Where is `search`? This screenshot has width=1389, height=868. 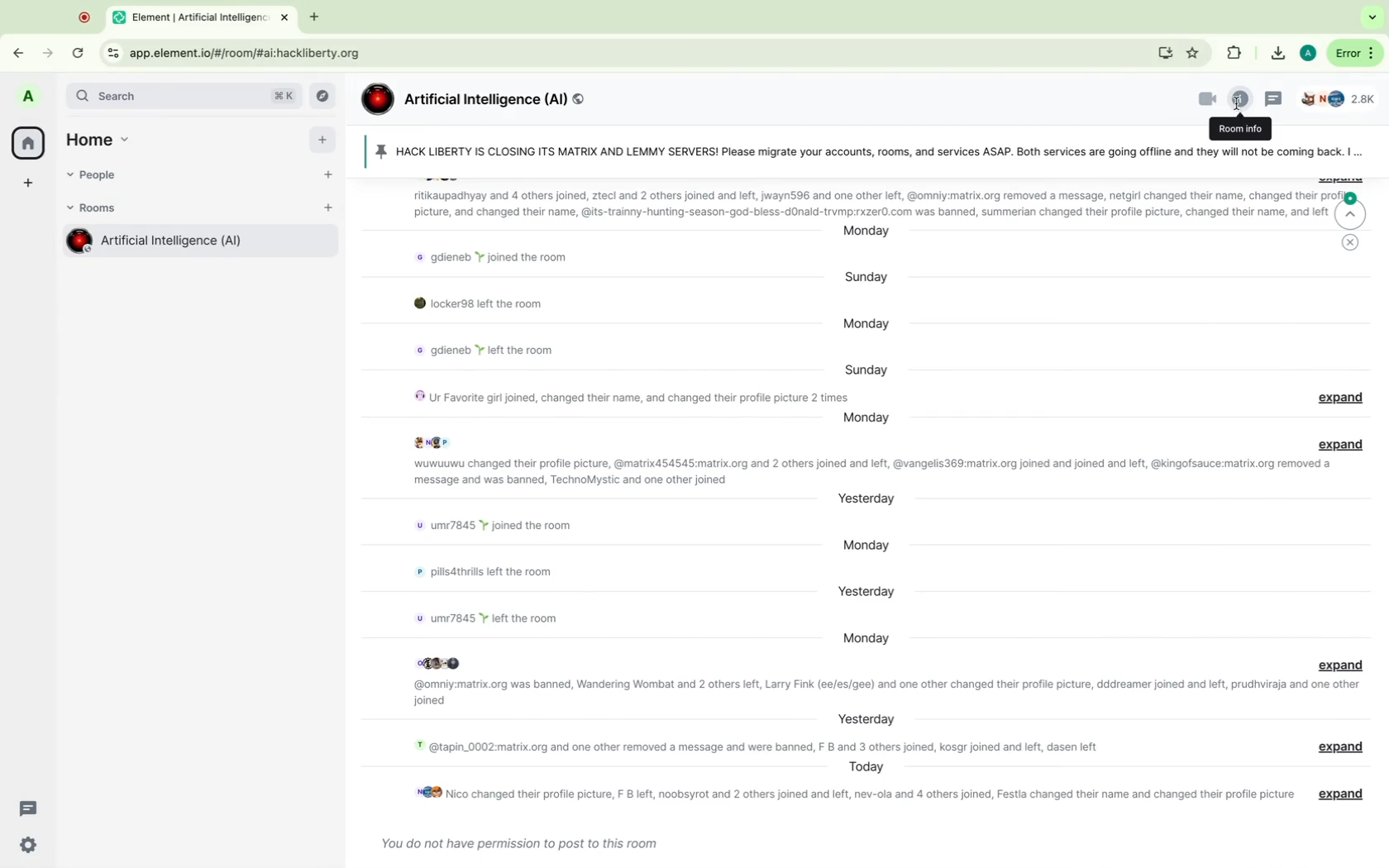 search is located at coordinates (185, 96).